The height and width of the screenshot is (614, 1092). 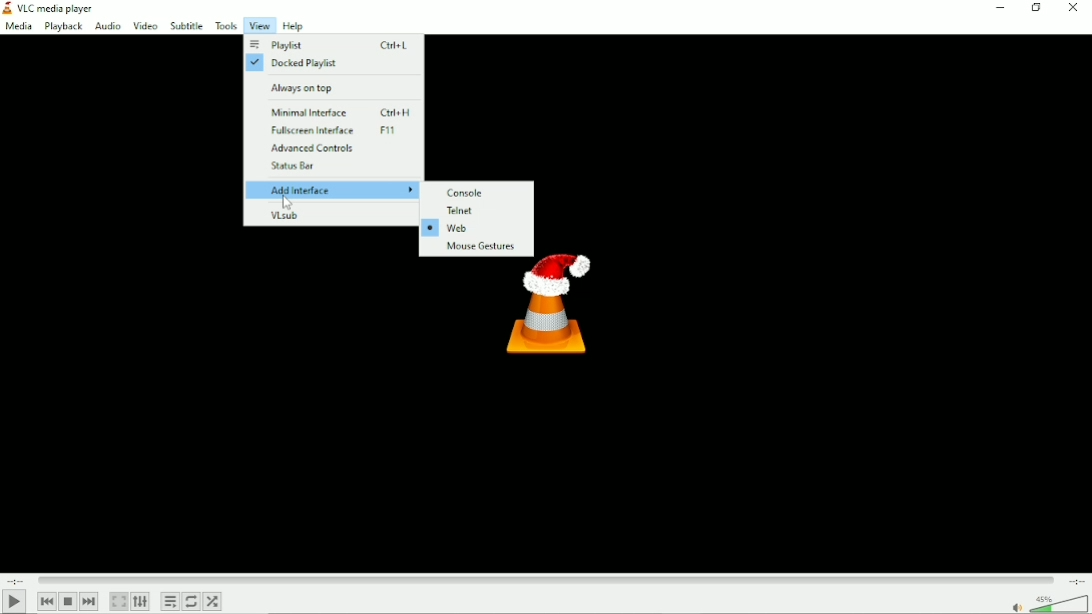 I want to click on Close, so click(x=1076, y=10).